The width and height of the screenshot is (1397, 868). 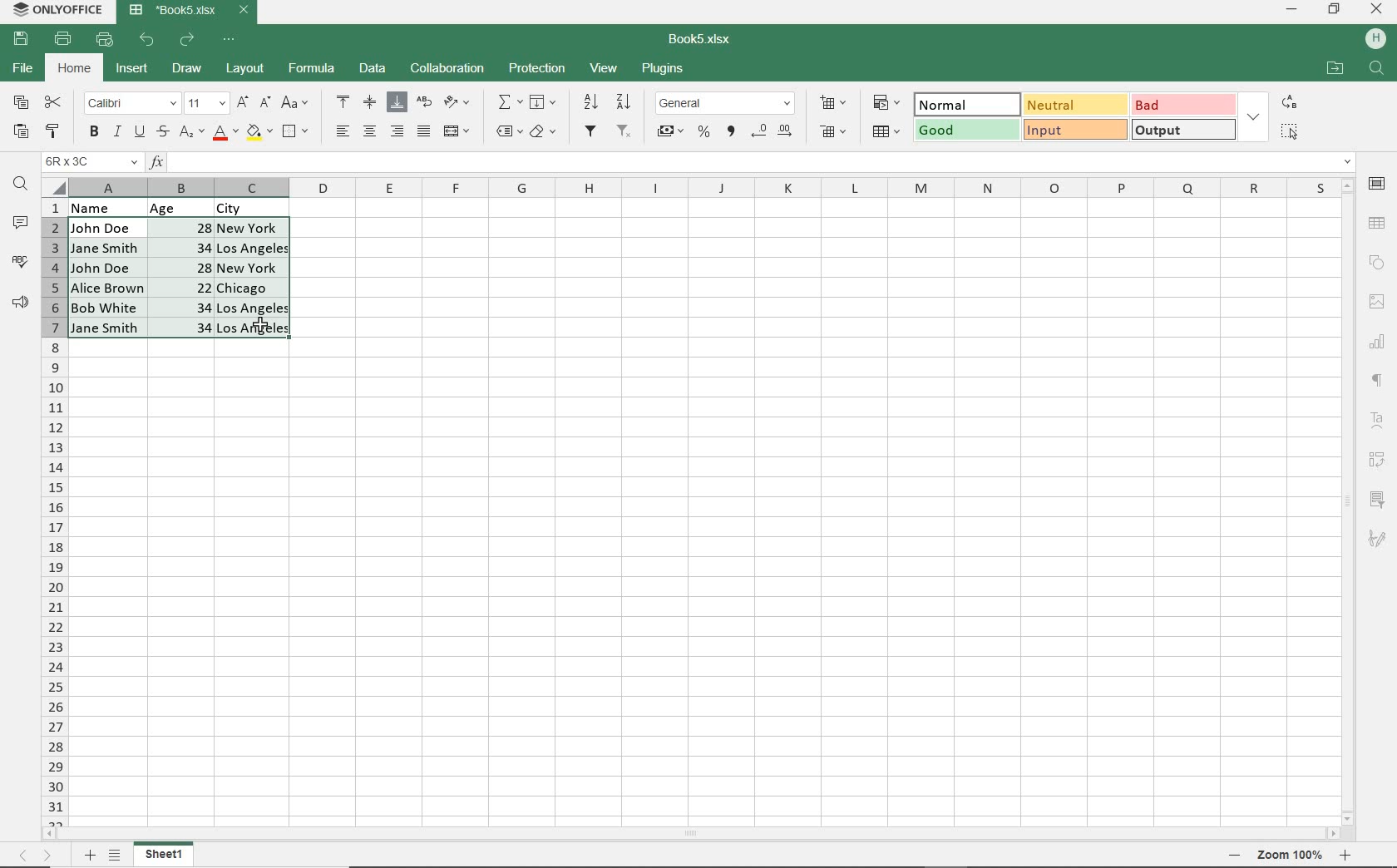 What do you see at coordinates (258, 322) in the screenshot?
I see `cursor` at bounding box center [258, 322].